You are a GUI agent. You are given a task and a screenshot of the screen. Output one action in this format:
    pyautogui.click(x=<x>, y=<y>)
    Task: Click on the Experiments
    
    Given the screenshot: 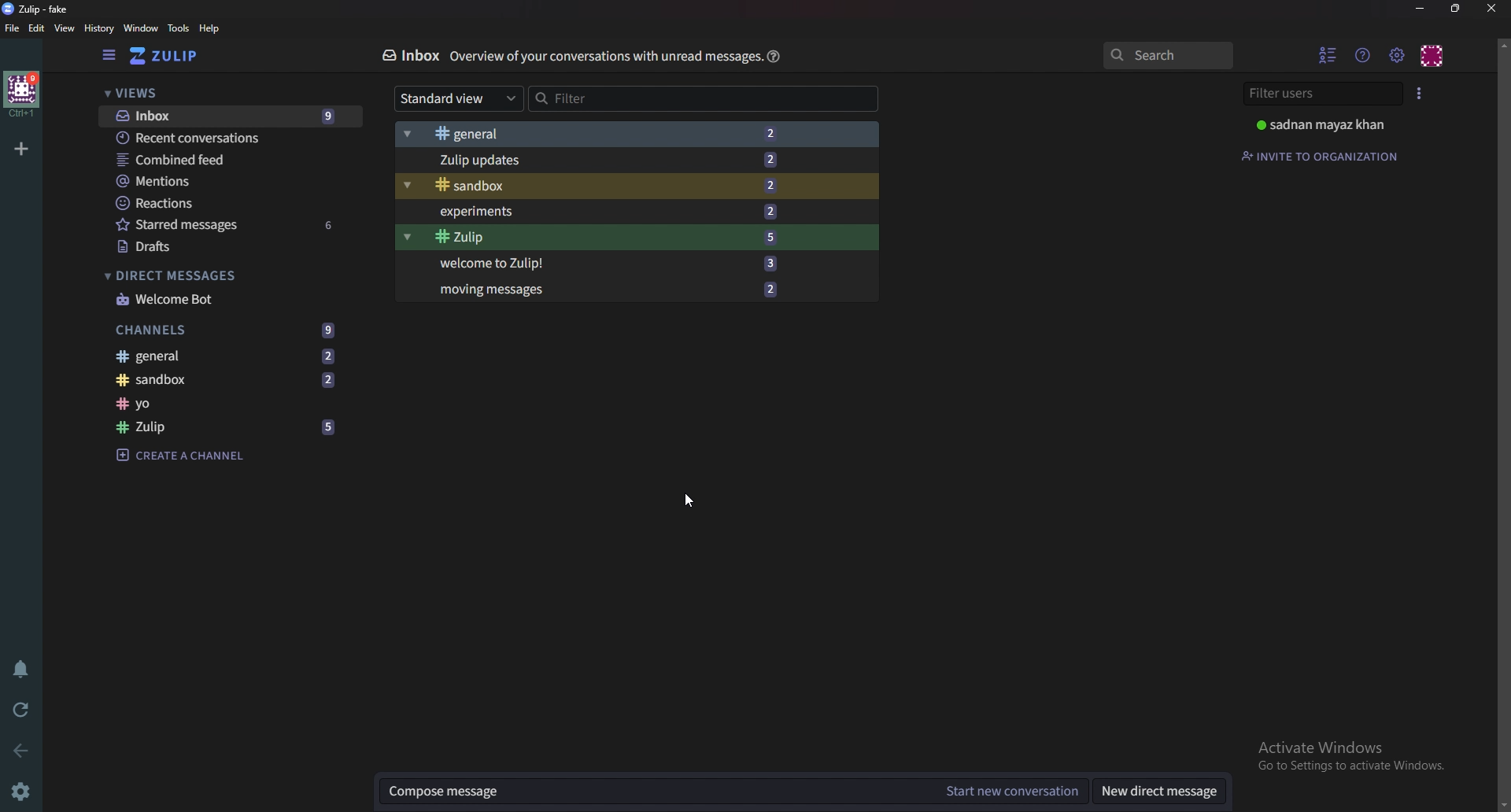 What is the action you would take?
    pyautogui.click(x=635, y=211)
    